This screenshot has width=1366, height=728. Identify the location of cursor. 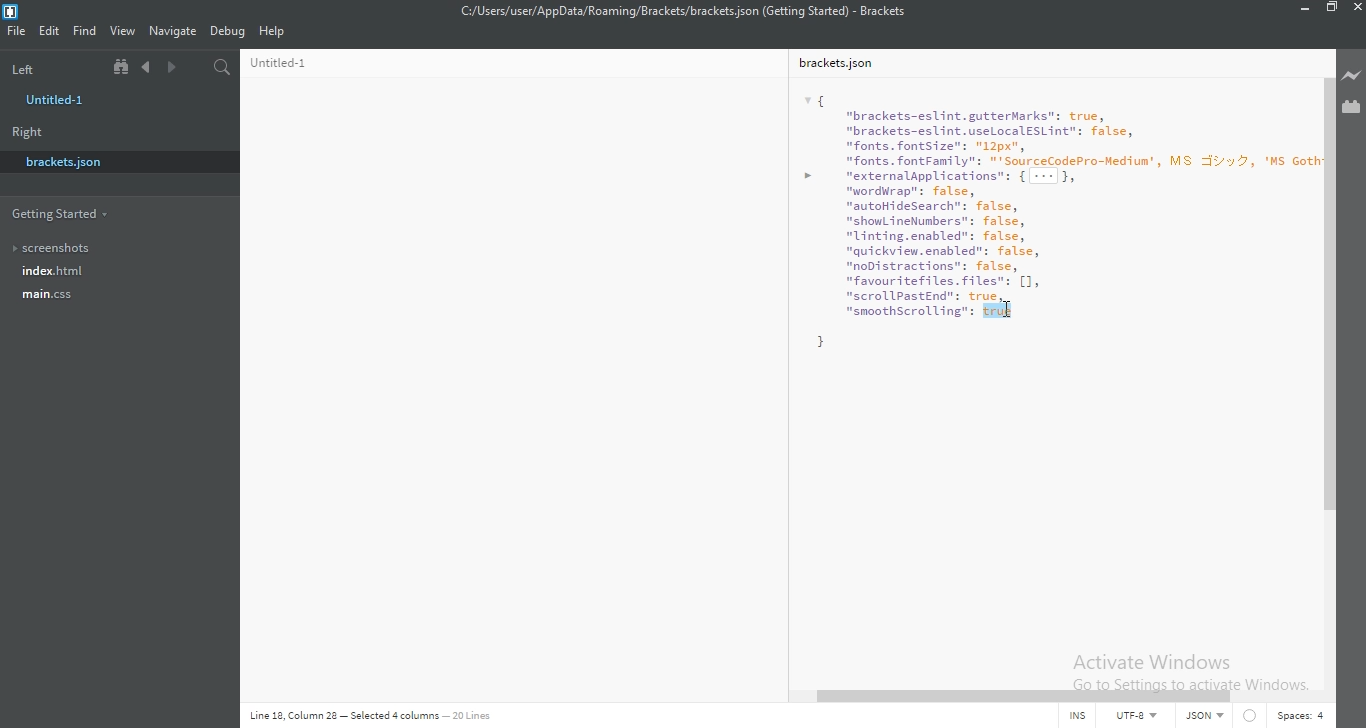
(997, 307).